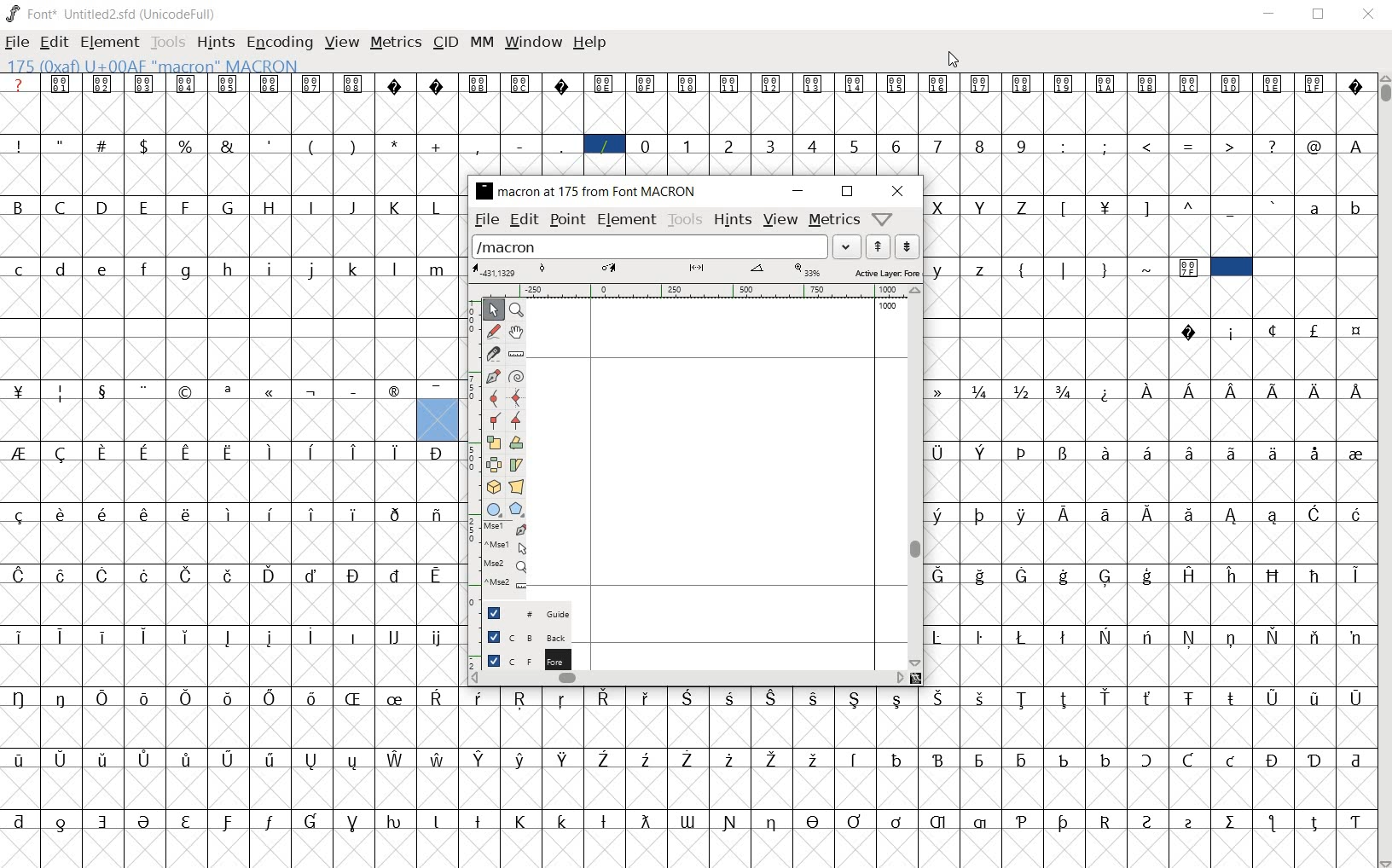 The width and height of the screenshot is (1392, 868). I want to click on Symbol, so click(479, 83).